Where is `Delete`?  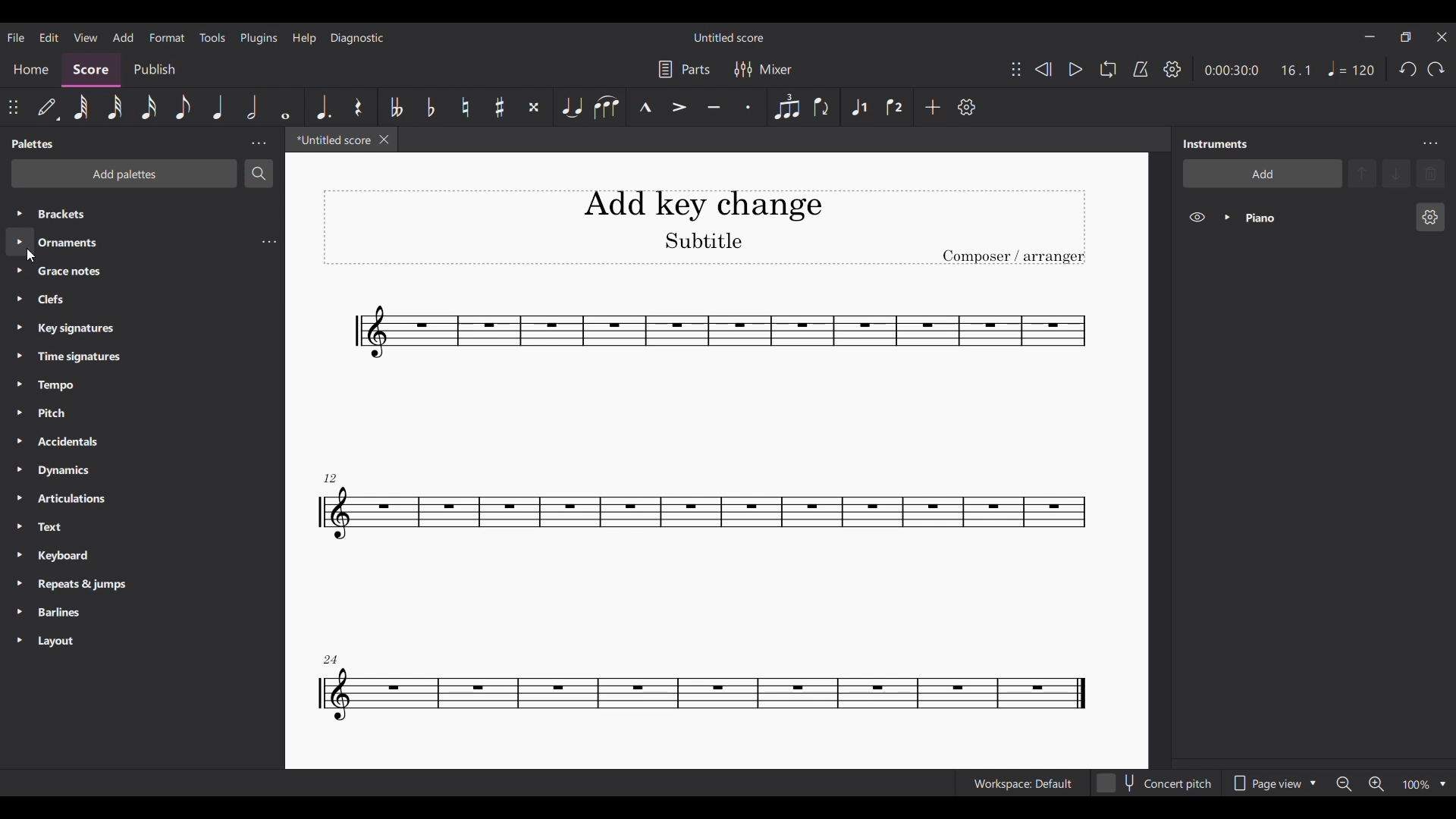 Delete is located at coordinates (1430, 174).